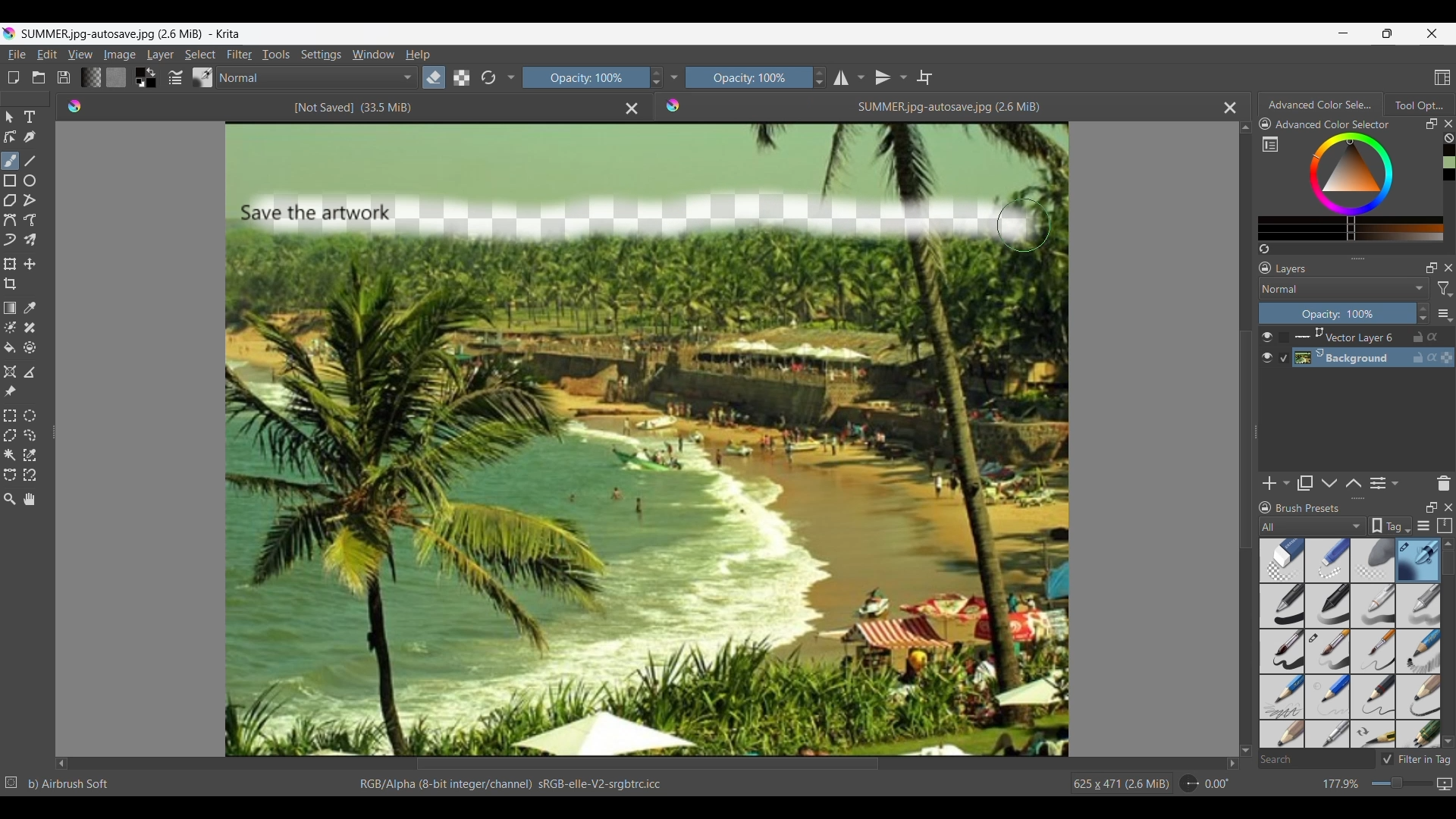  What do you see at coordinates (9, 372) in the screenshot?
I see `Assistant tool` at bounding box center [9, 372].